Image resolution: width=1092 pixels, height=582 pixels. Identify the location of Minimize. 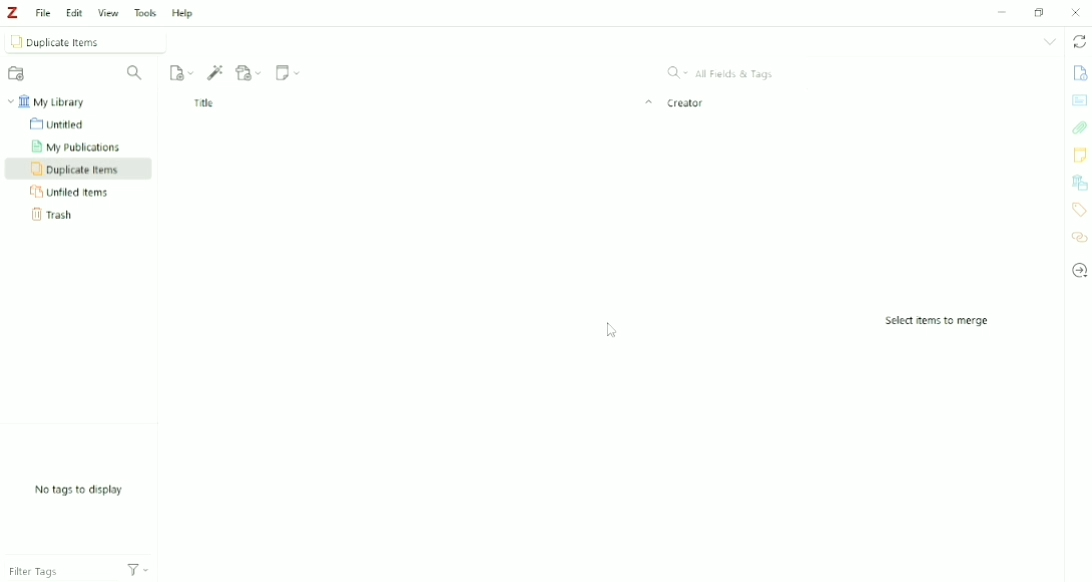
(1001, 12).